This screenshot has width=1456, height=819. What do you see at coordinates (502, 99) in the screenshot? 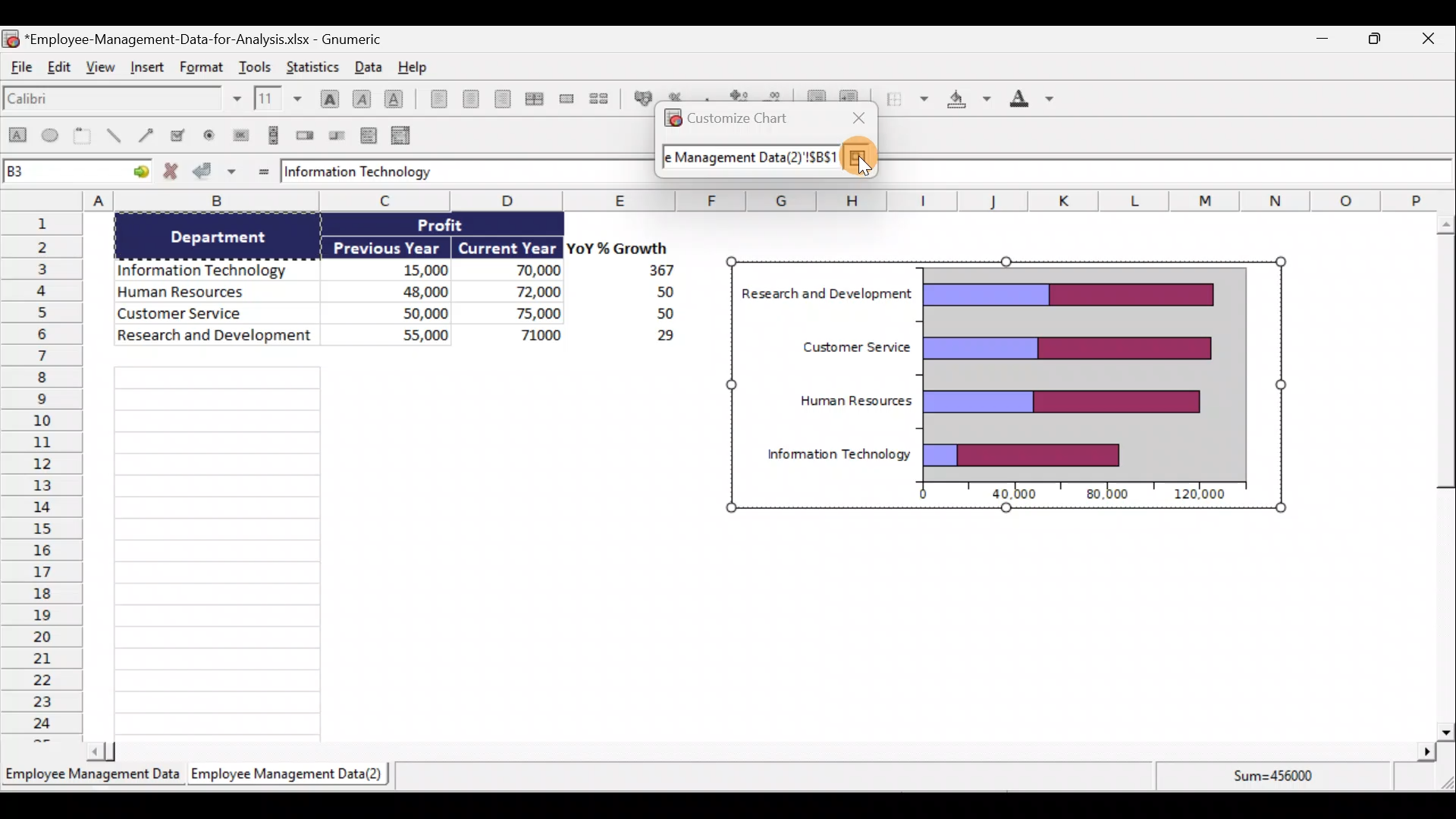
I see `Align right` at bounding box center [502, 99].